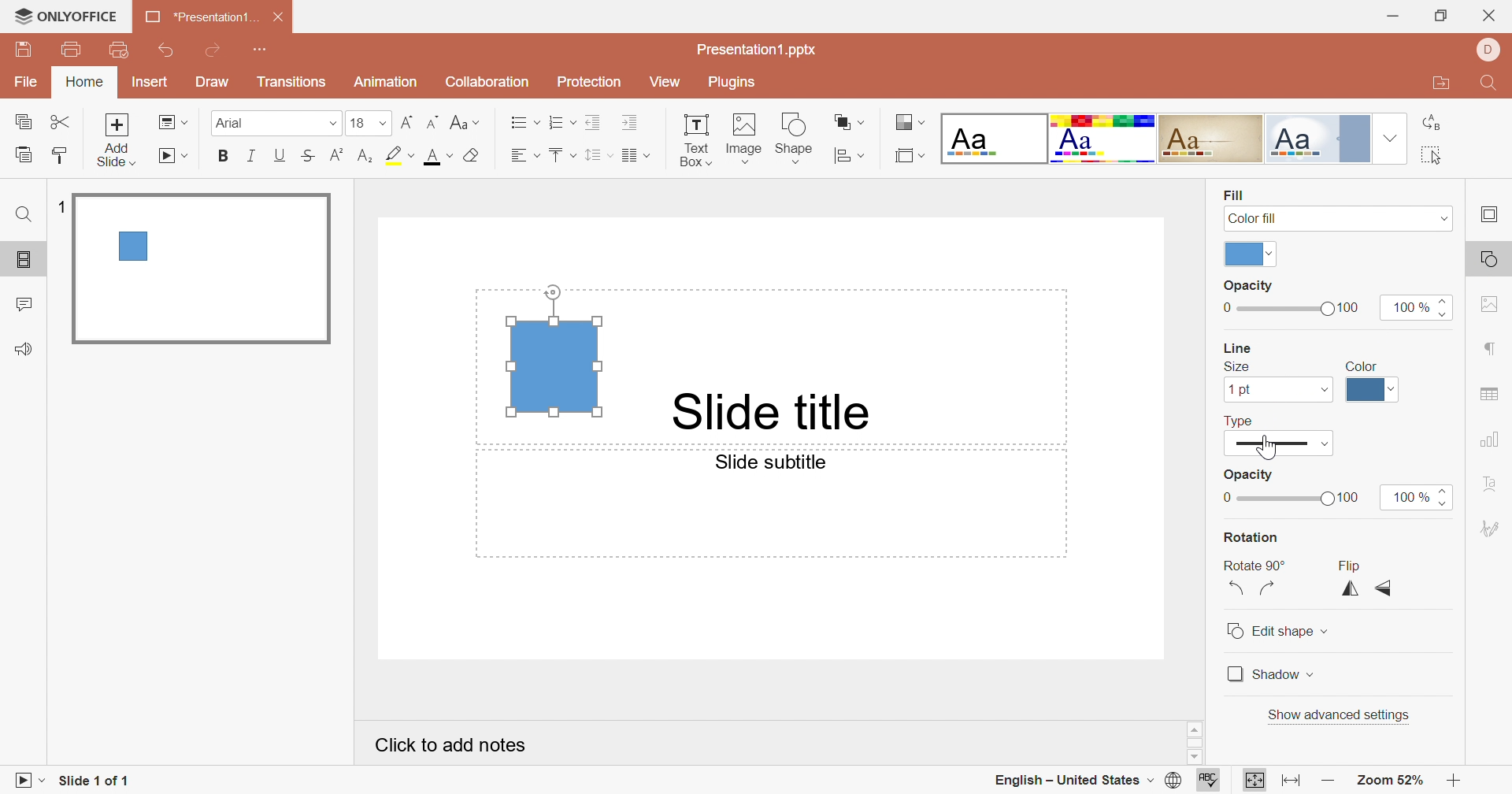 This screenshot has height=794, width=1512. Describe the element at coordinates (1266, 447) in the screenshot. I see `Cursor` at that location.